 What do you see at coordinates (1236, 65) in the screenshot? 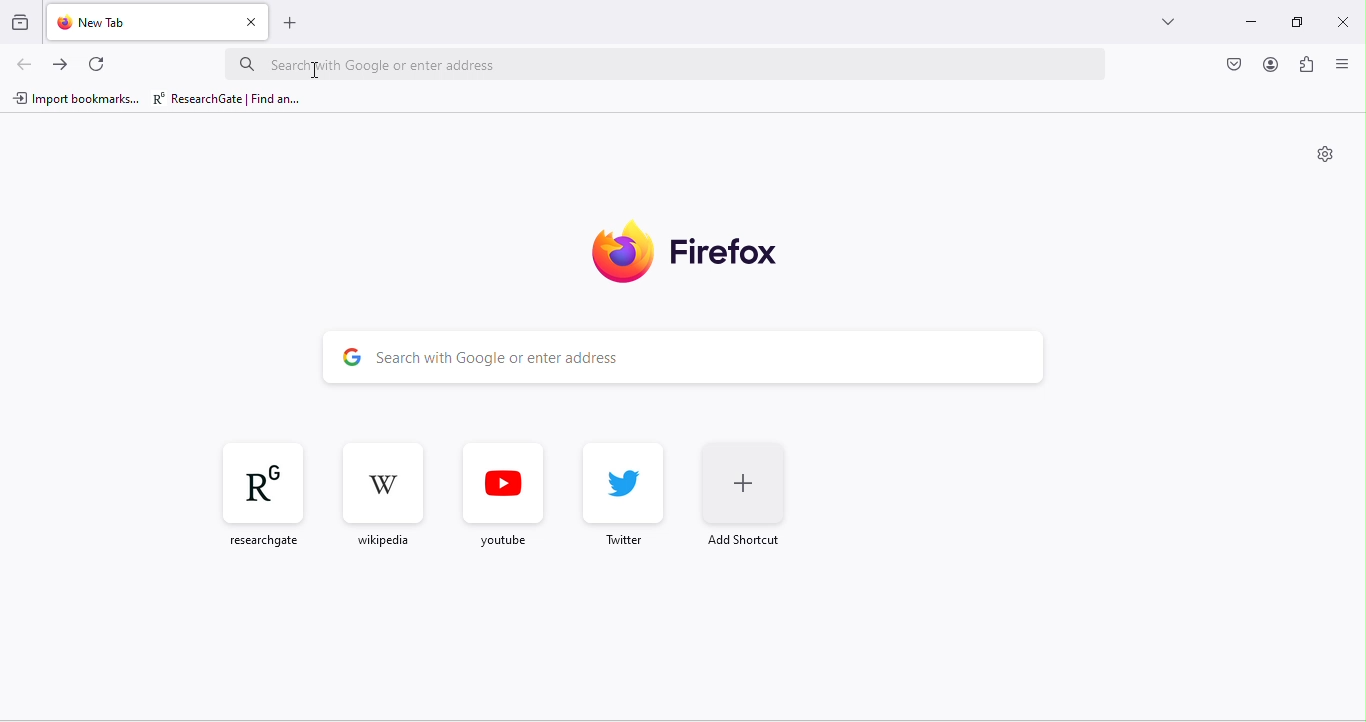
I see `pocket` at bounding box center [1236, 65].